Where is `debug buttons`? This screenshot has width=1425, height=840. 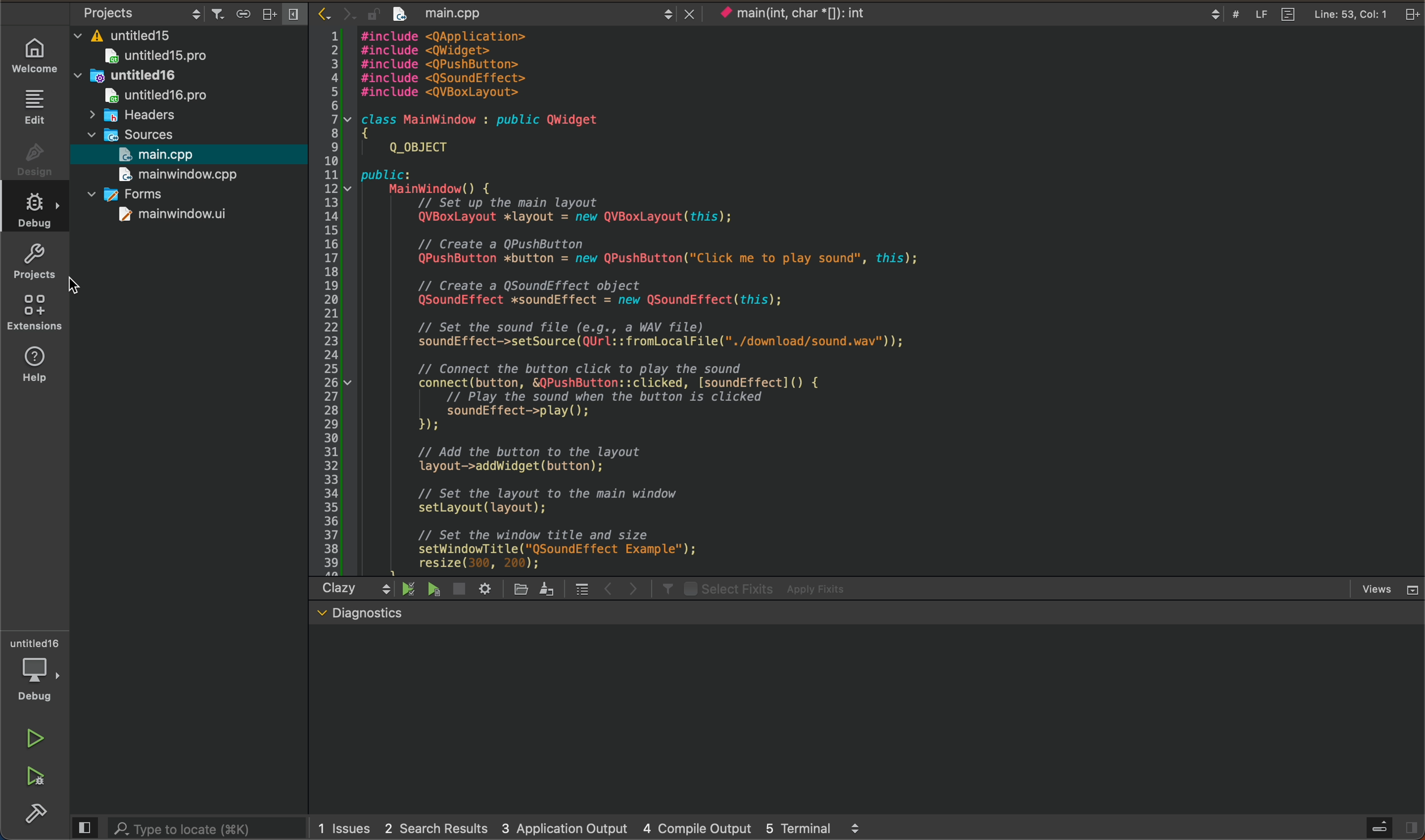 debug buttons is located at coordinates (431, 590).